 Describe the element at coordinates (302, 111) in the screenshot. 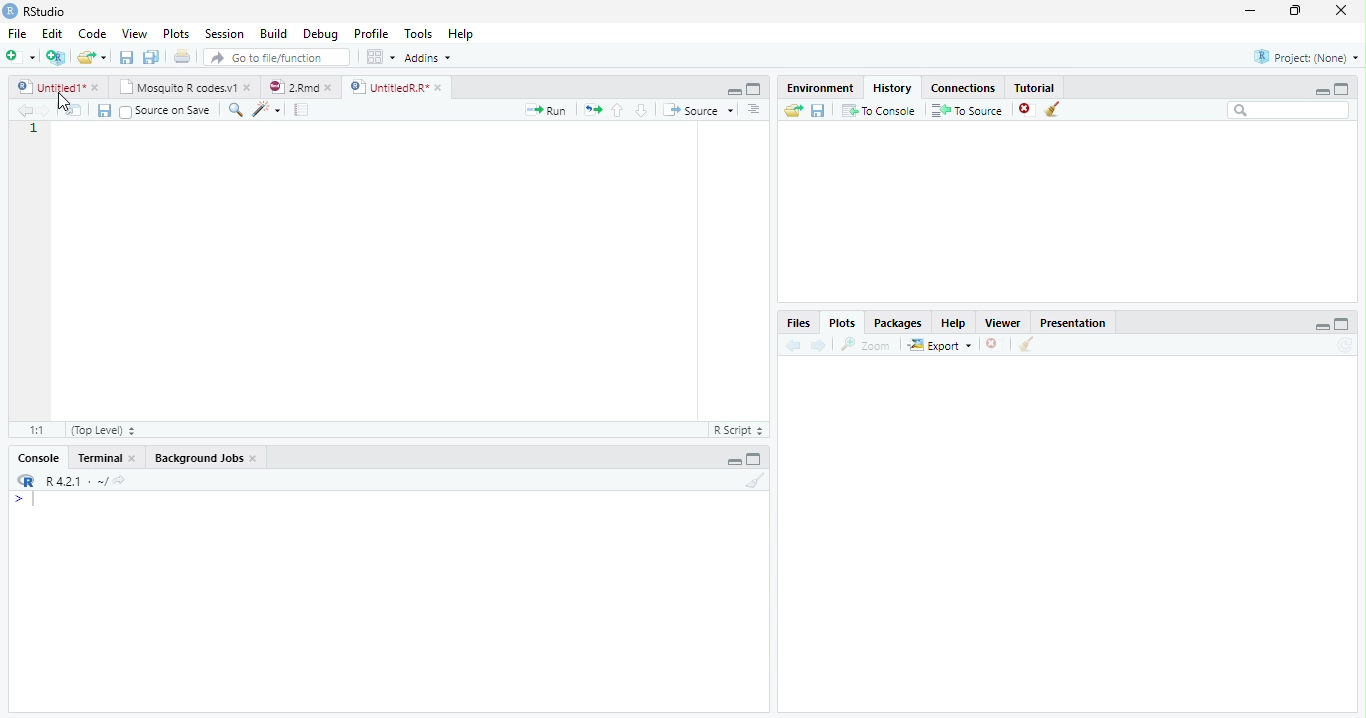

I see `Compile Report` at that location.